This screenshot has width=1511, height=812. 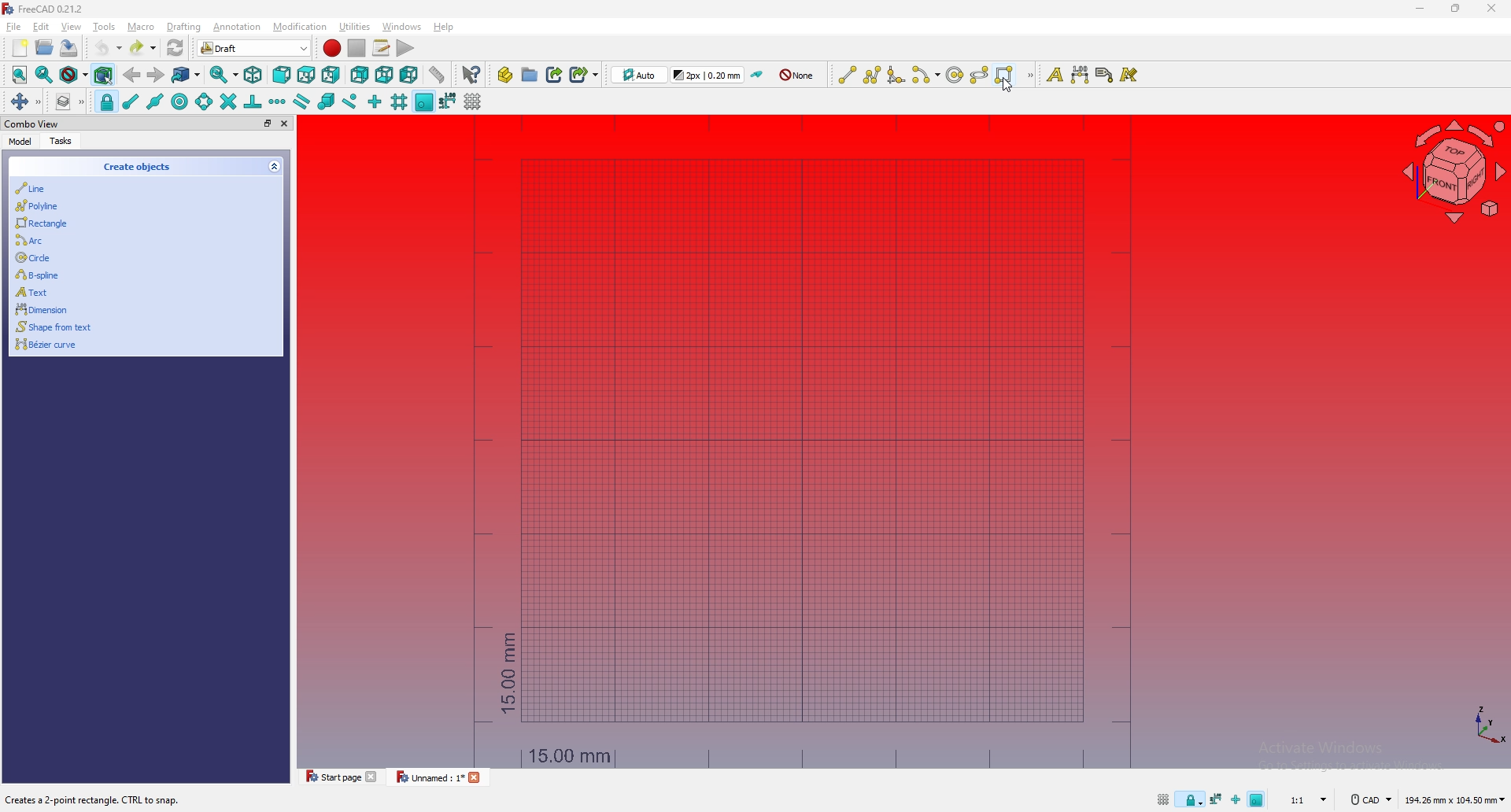 I want to click on start page, so click(x=331, y=777).